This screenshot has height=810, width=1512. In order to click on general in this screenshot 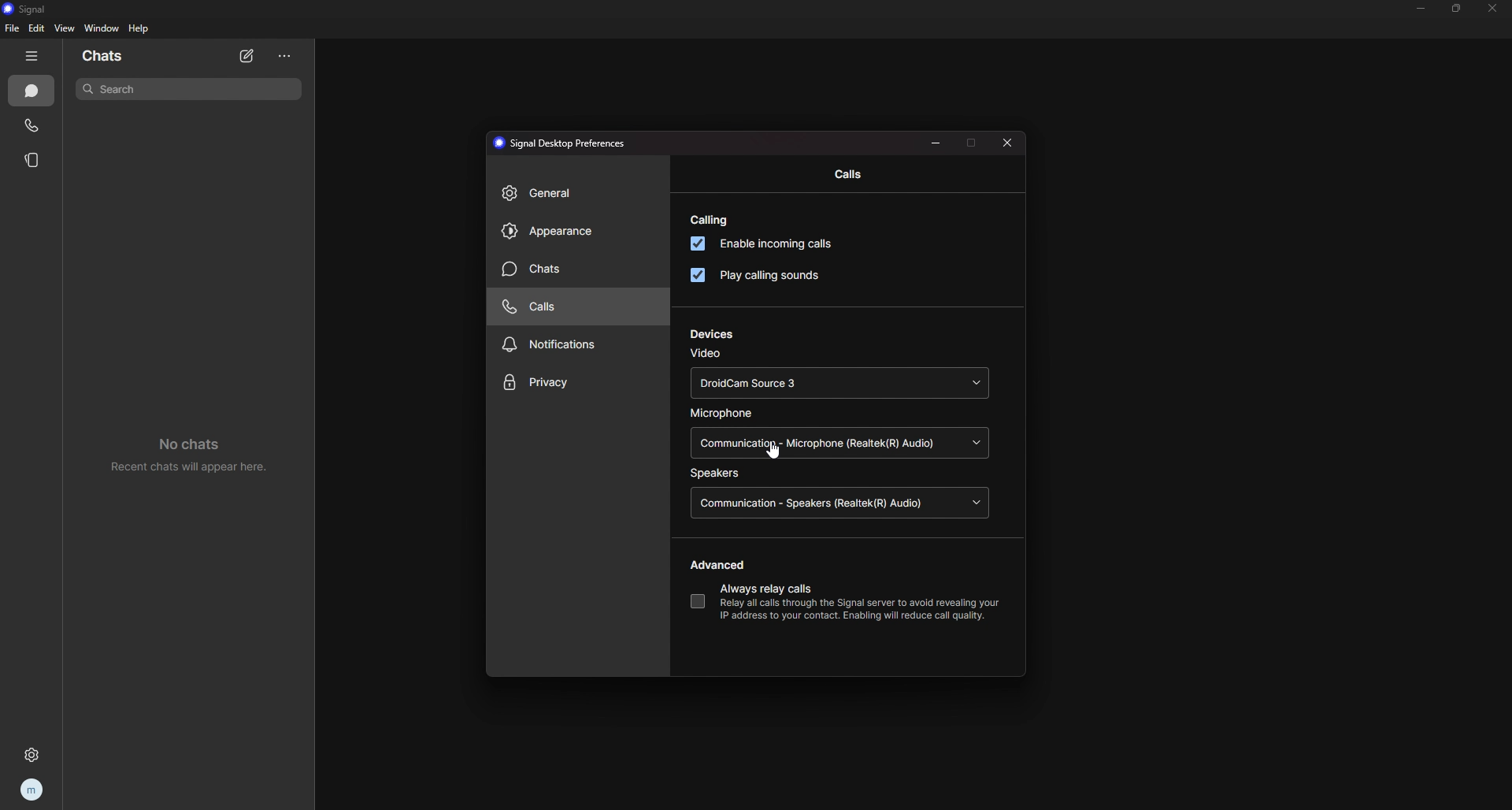, I will do `click(574, 193)`.